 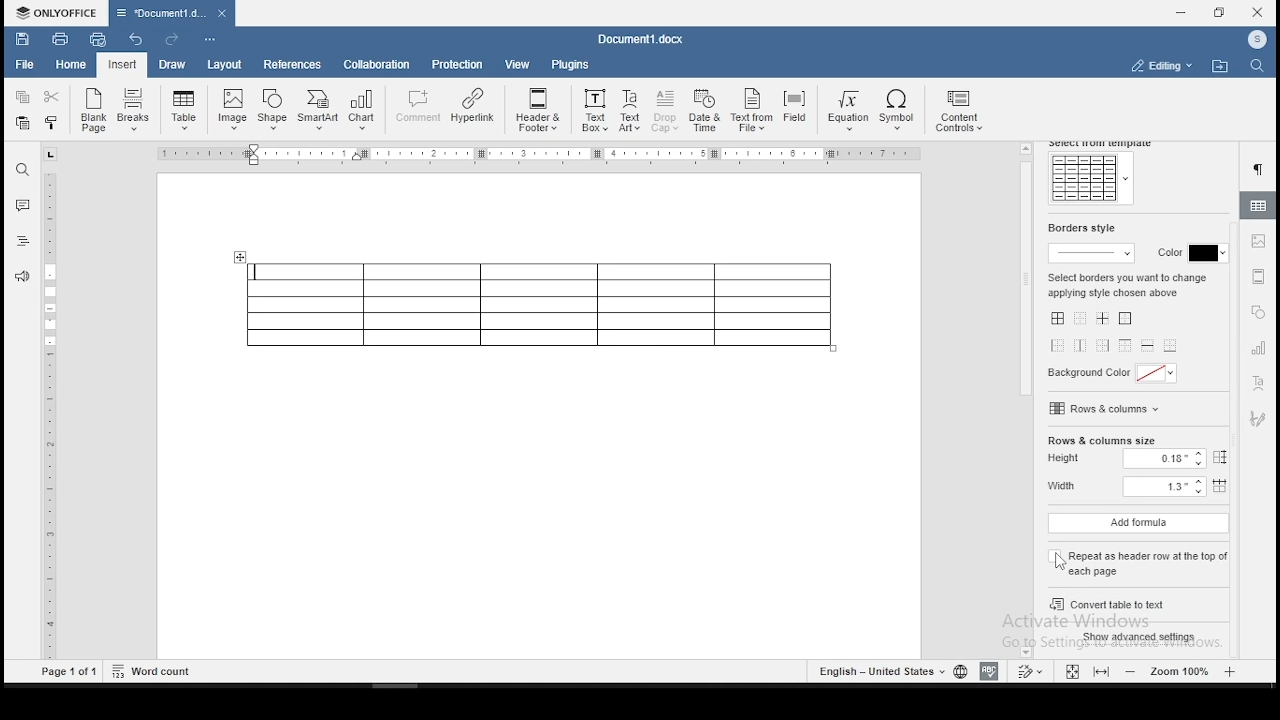 I want to click on minimize, so click(x=1183, y=12).